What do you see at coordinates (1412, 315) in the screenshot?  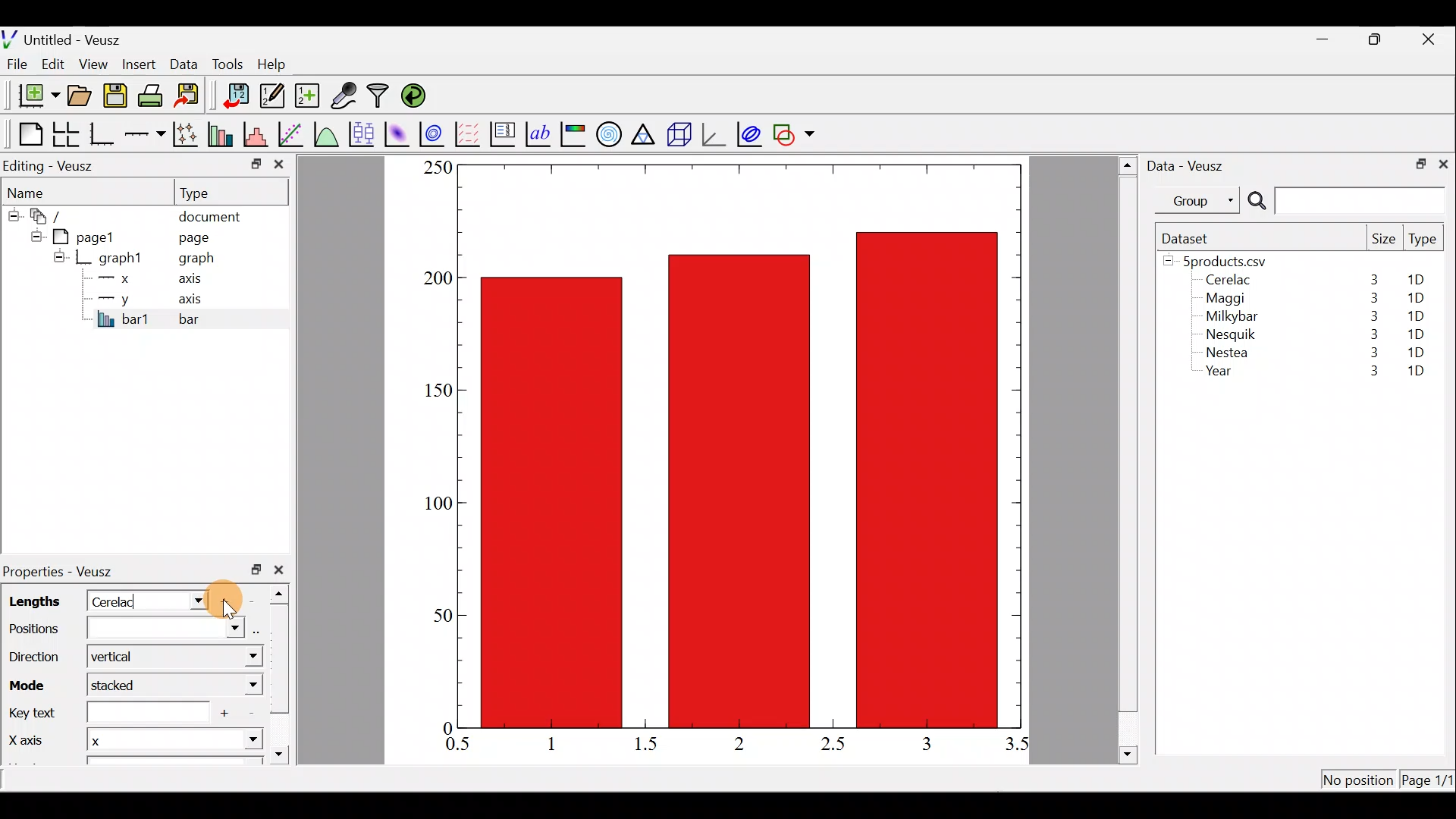 I see `1D` at bounding box center [1412, 315].